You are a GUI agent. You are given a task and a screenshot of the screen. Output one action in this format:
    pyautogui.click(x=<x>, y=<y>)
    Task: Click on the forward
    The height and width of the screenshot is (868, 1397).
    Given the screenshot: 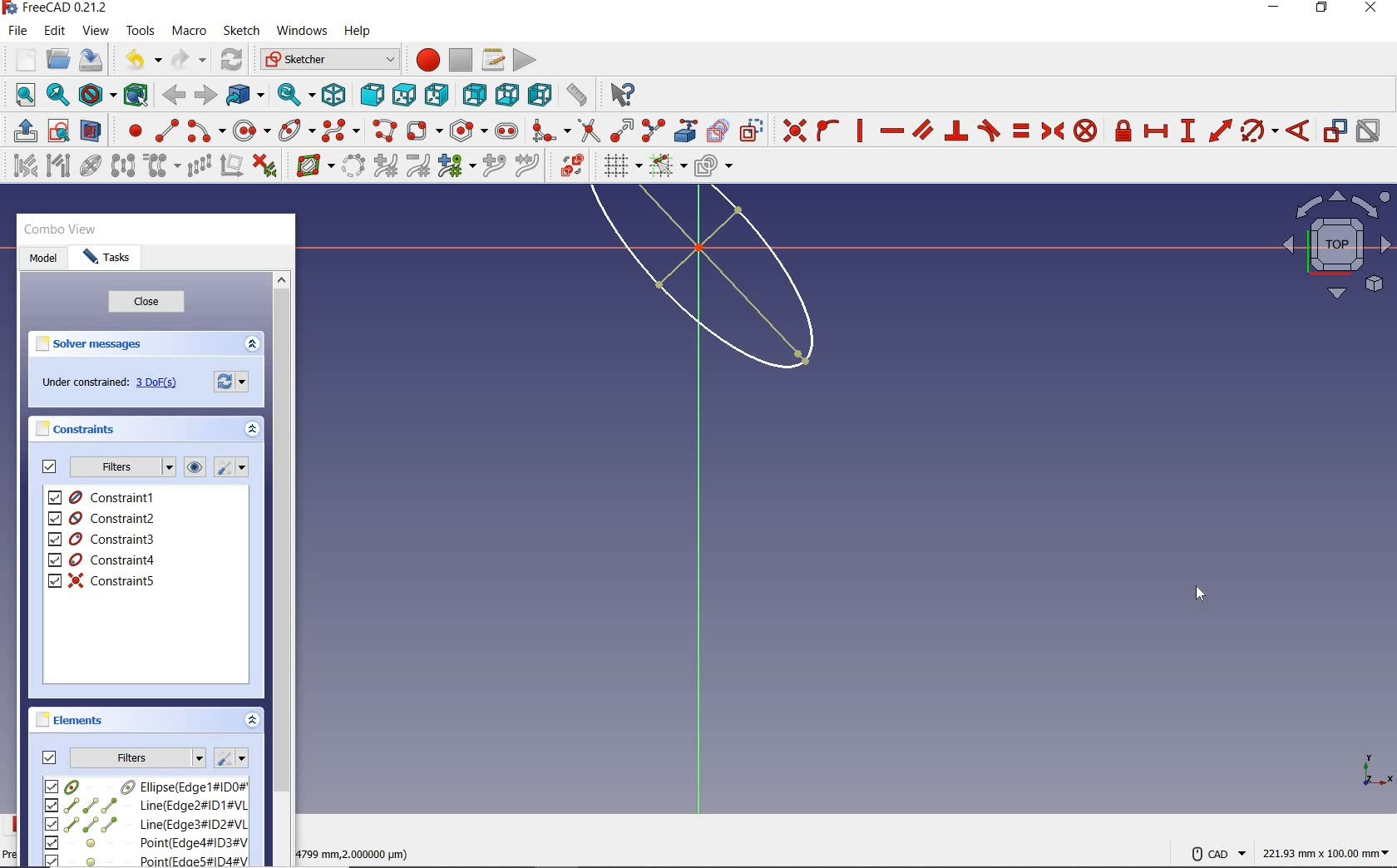 What is the action you would take?
    pyautogui.click(x=204, y=96)
    